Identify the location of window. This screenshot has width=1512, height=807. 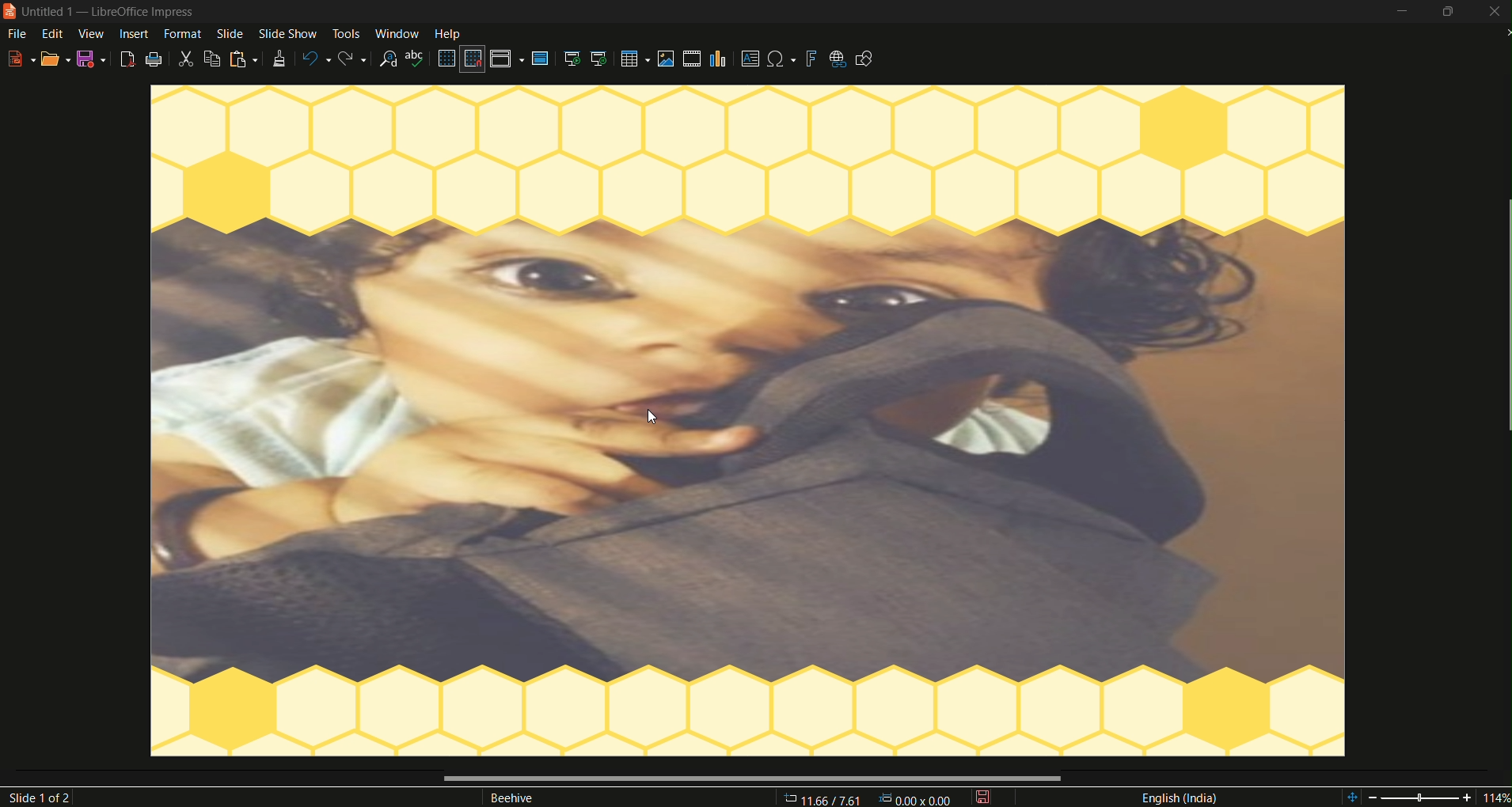
(398, 33).